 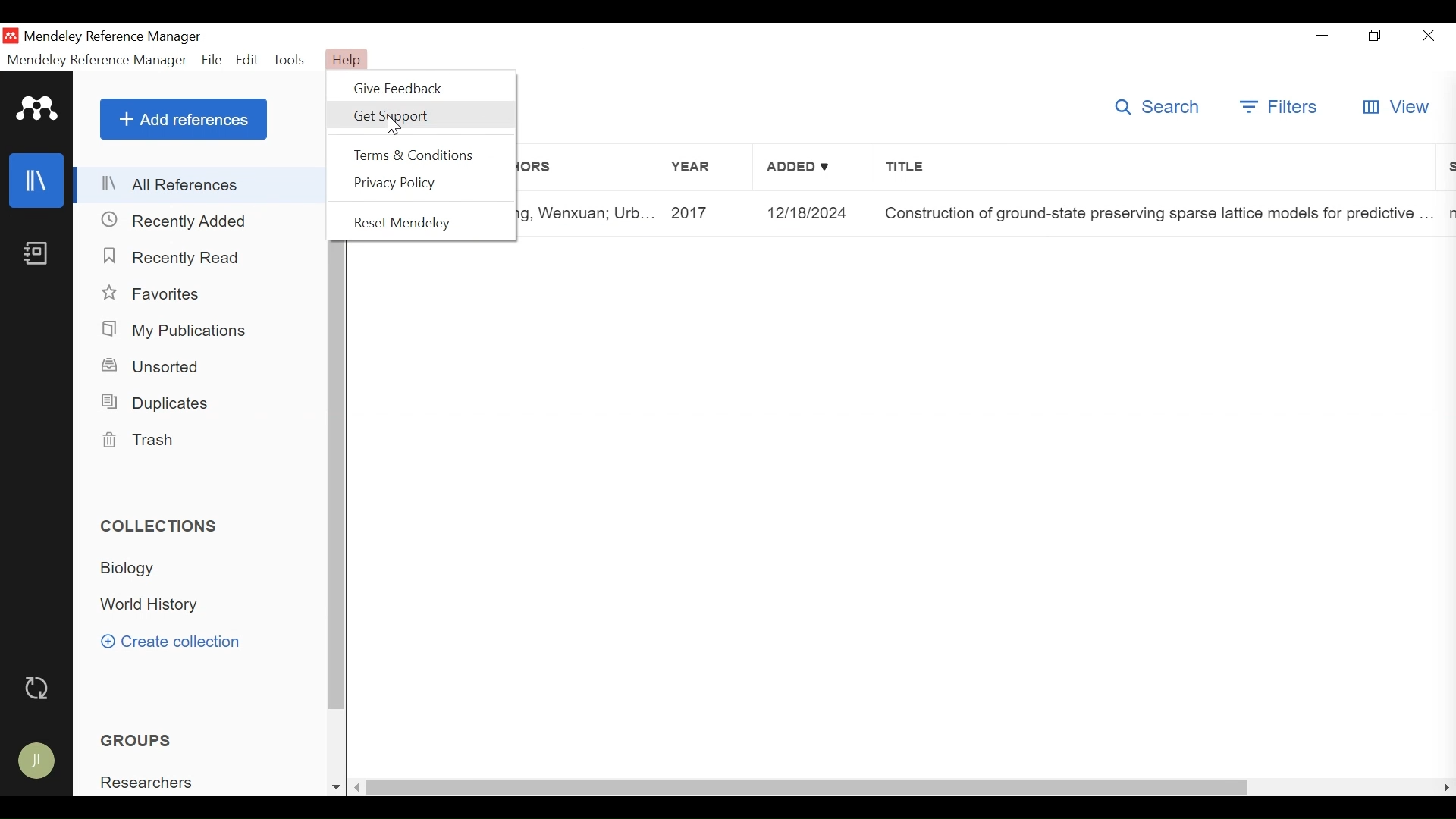 I want to click on Year, so click(x=707, y=214).